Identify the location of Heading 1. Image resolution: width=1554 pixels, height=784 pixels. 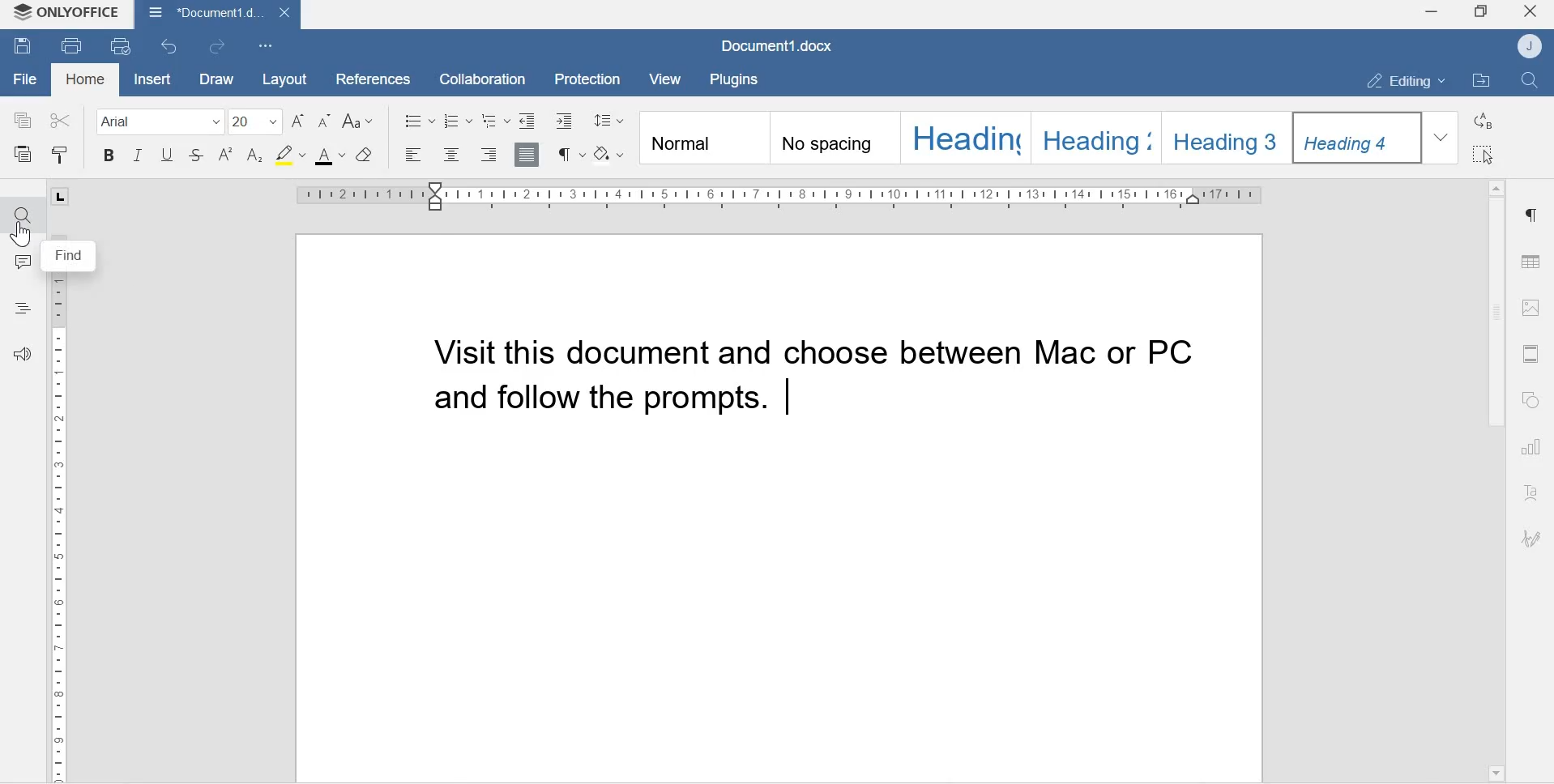
(965, 137).